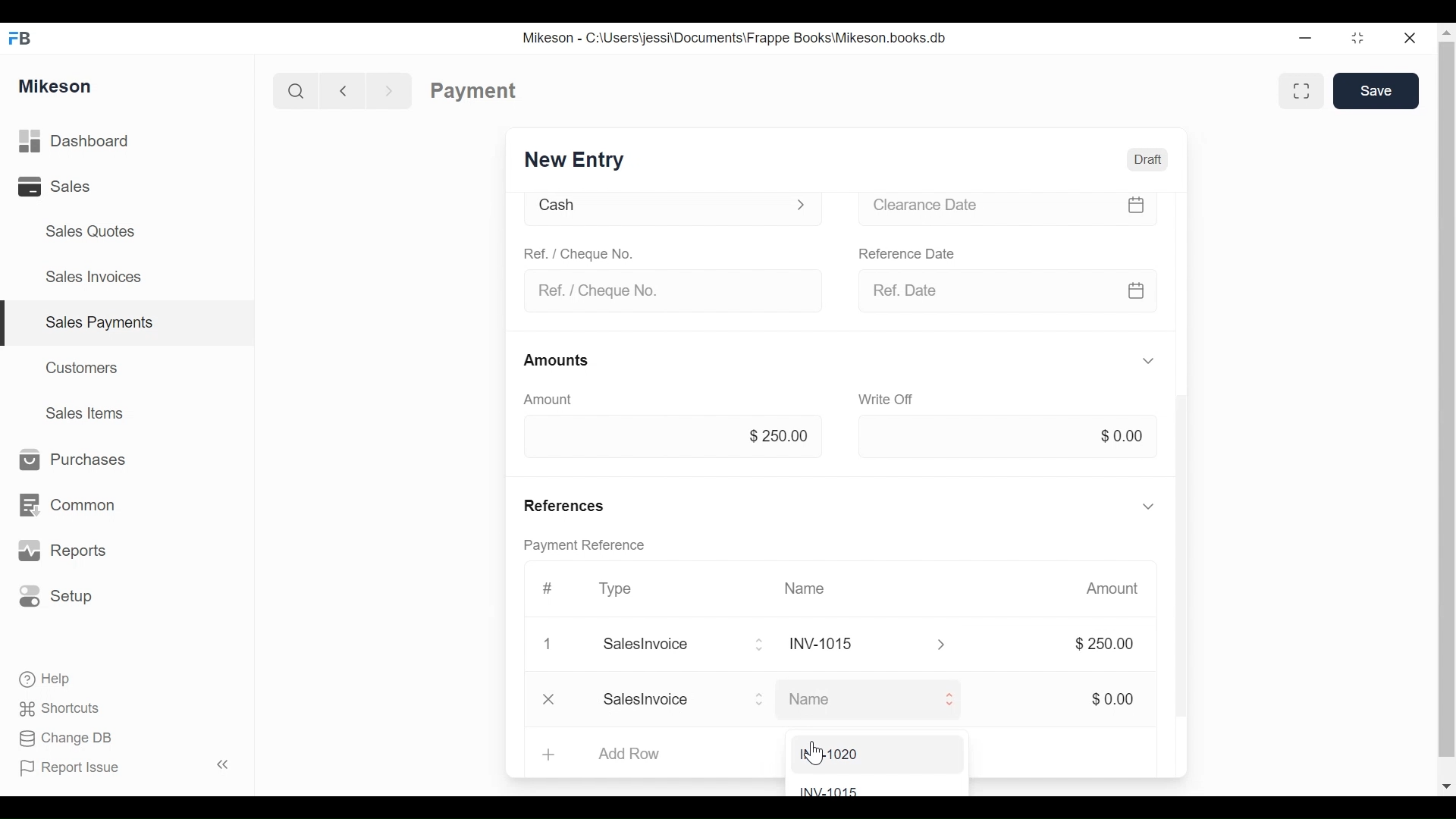 The width and height of the screenshot is (1456, 819). Describe the element at coordinates (1159, 504) in the screenshot. I see `Hide` at that location.